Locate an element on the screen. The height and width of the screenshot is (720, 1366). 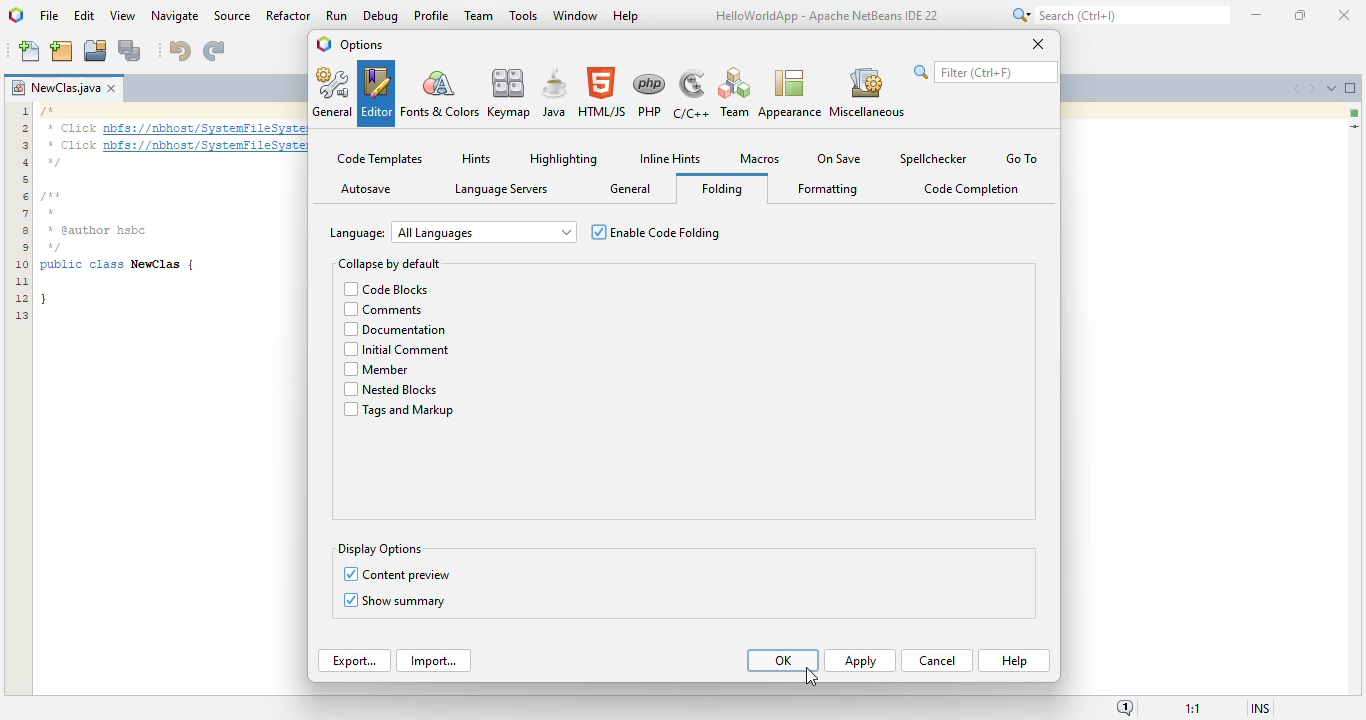
PHP is located at coordinates (650, 93).